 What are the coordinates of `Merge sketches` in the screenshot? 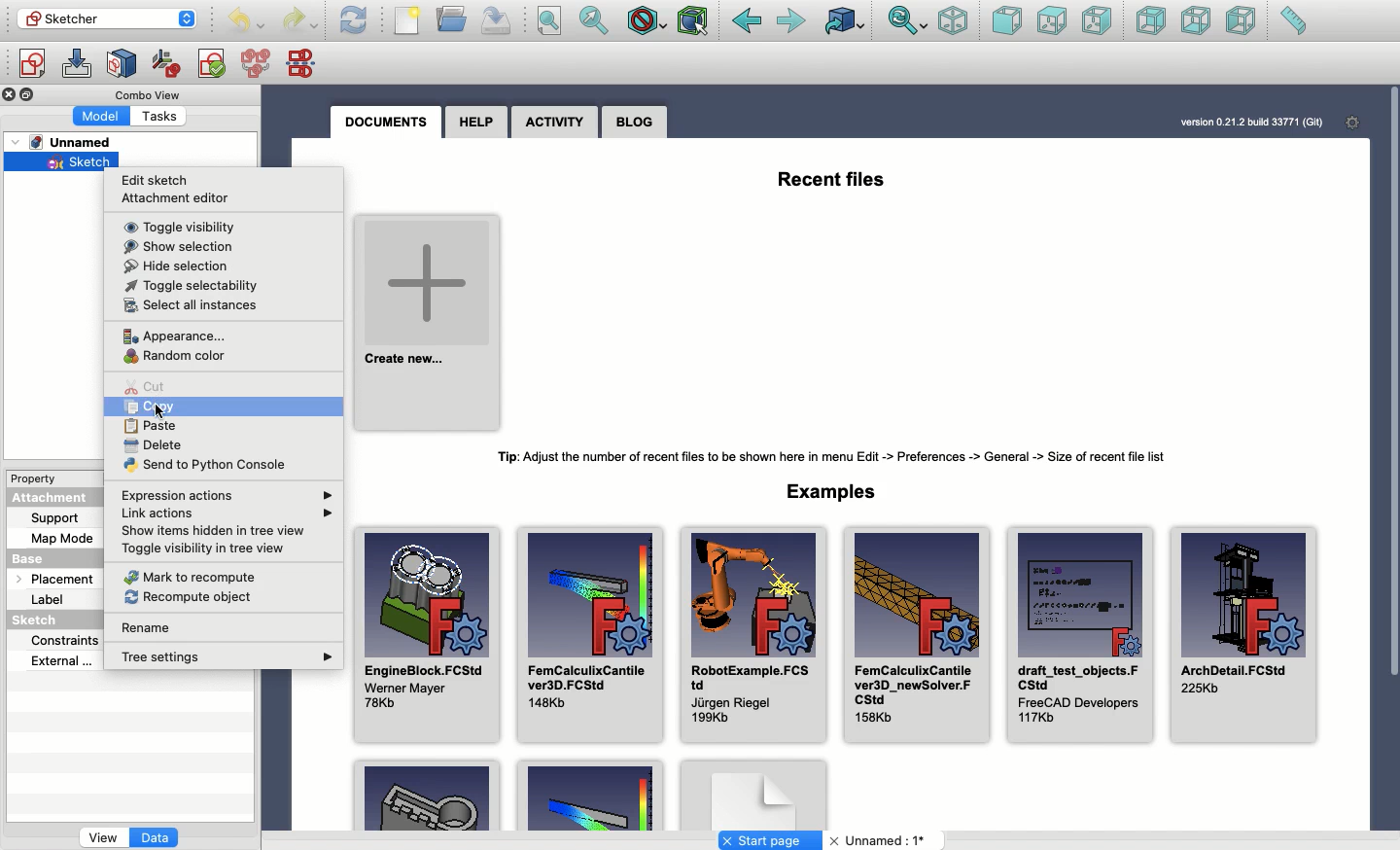 It's located at (259, 64).